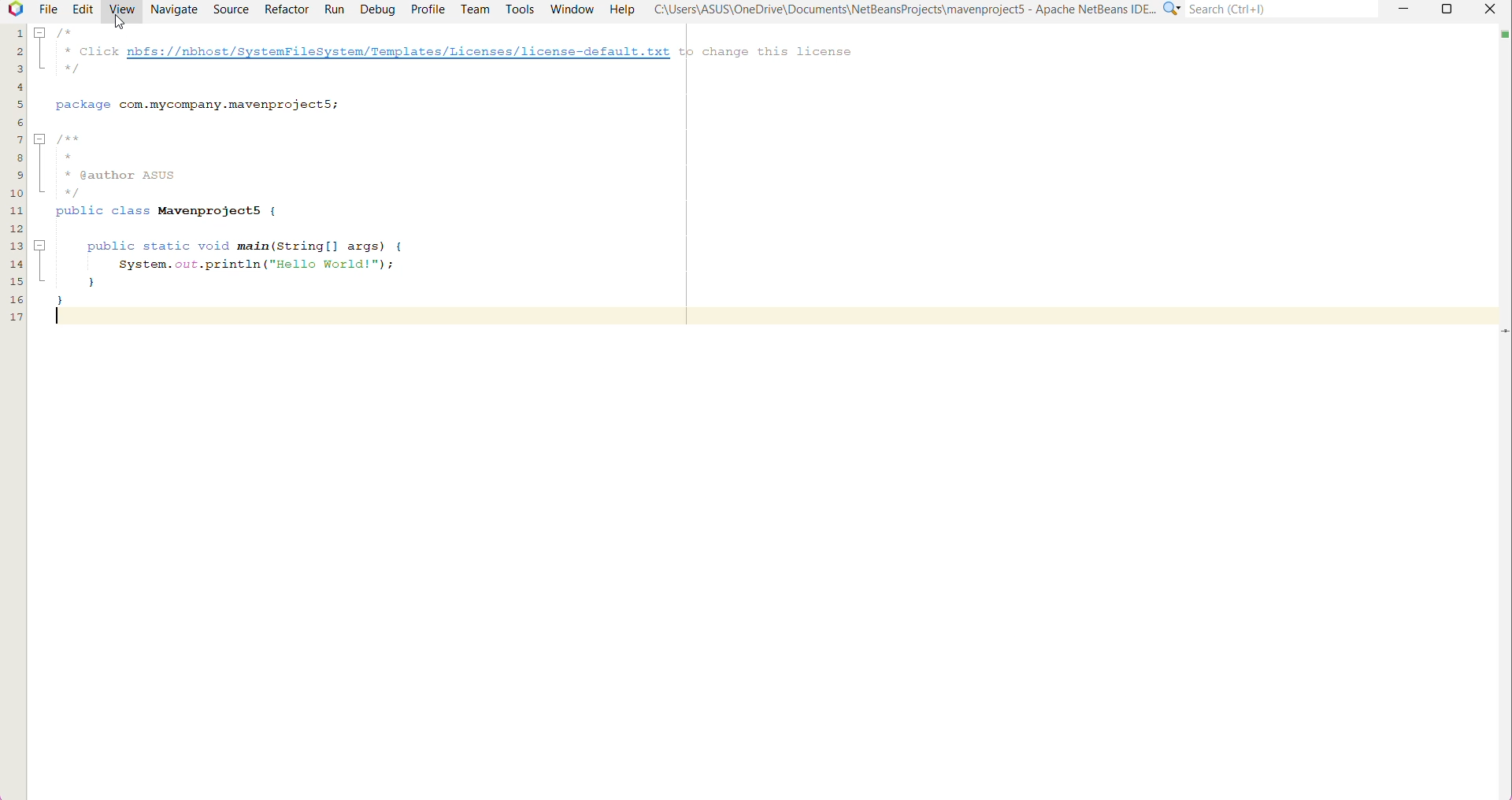 The image size is (1512, 800). I want to click on Debug, so click(378, 9).